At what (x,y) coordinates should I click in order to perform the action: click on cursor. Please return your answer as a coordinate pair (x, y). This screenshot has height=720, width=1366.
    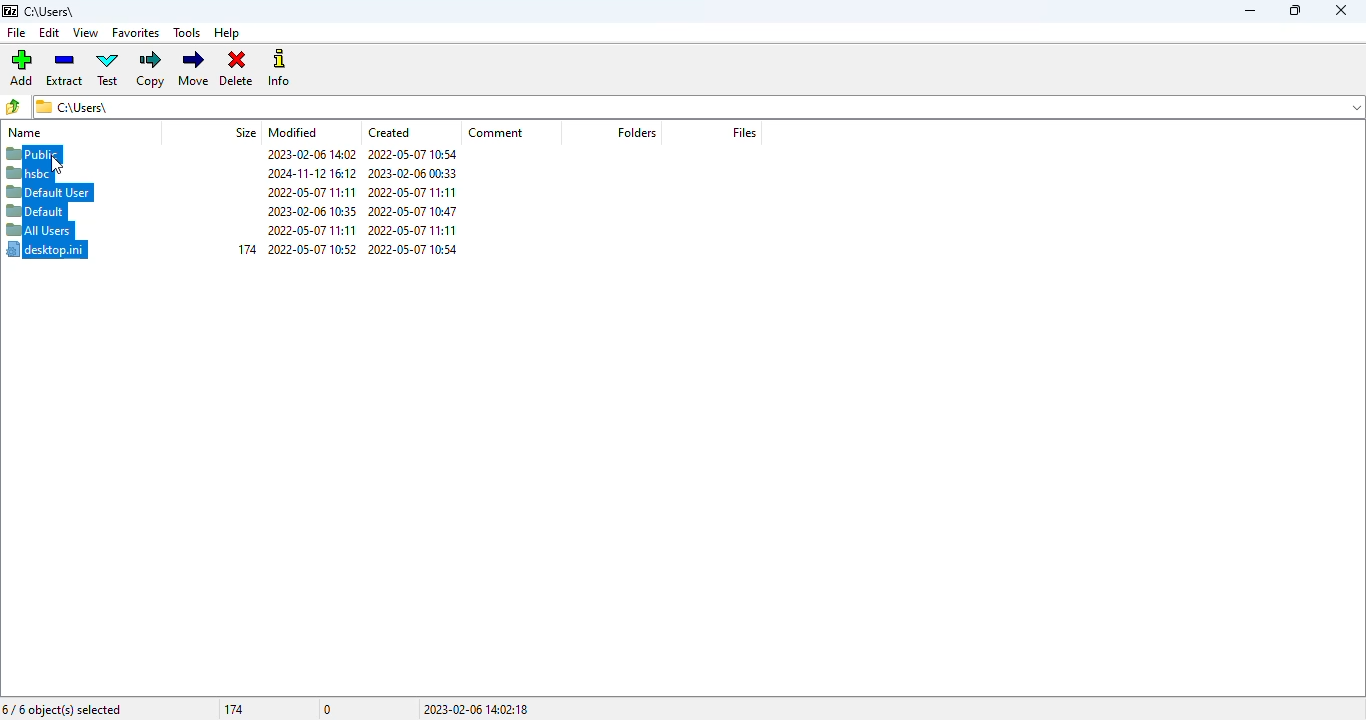
    Looking at the image, I should click on (58, 165).